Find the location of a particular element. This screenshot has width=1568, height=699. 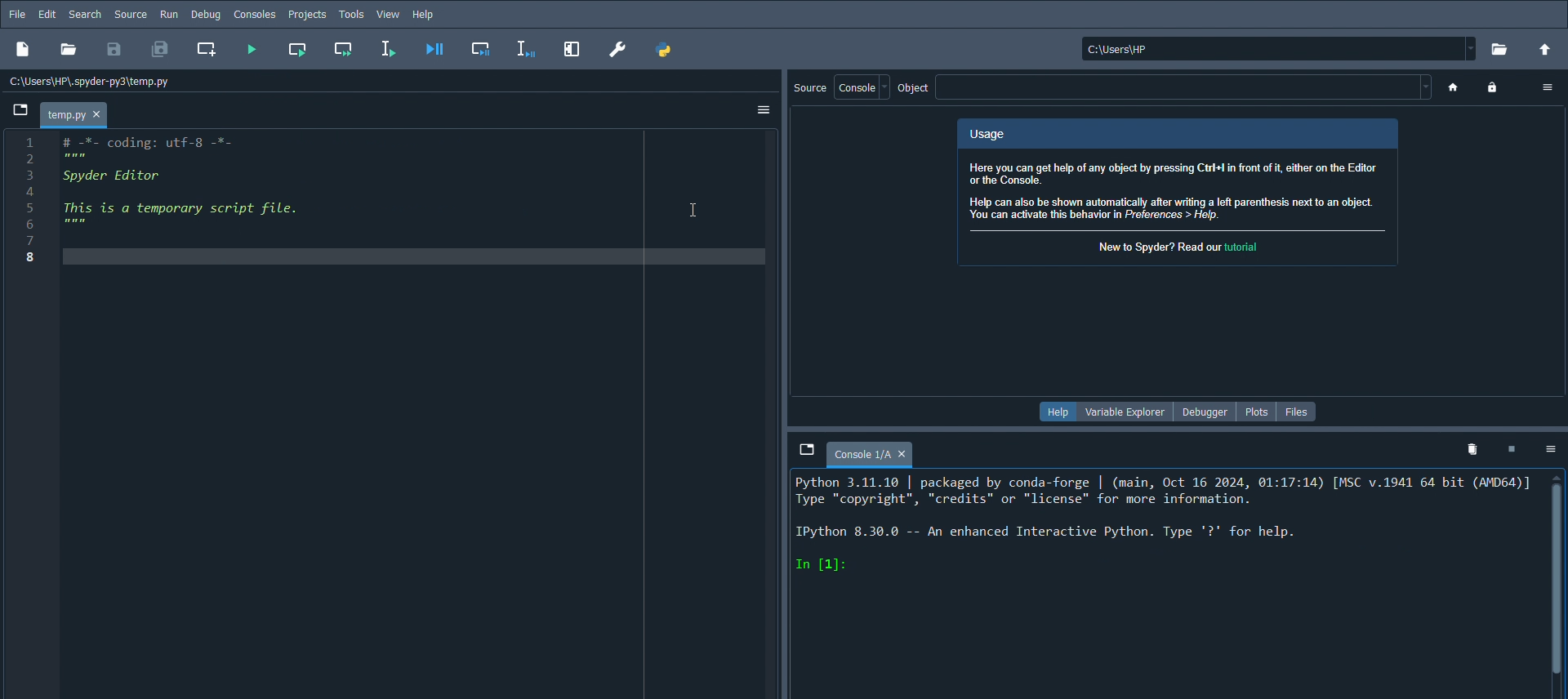

Debug file is located at coordinates (435, 50).